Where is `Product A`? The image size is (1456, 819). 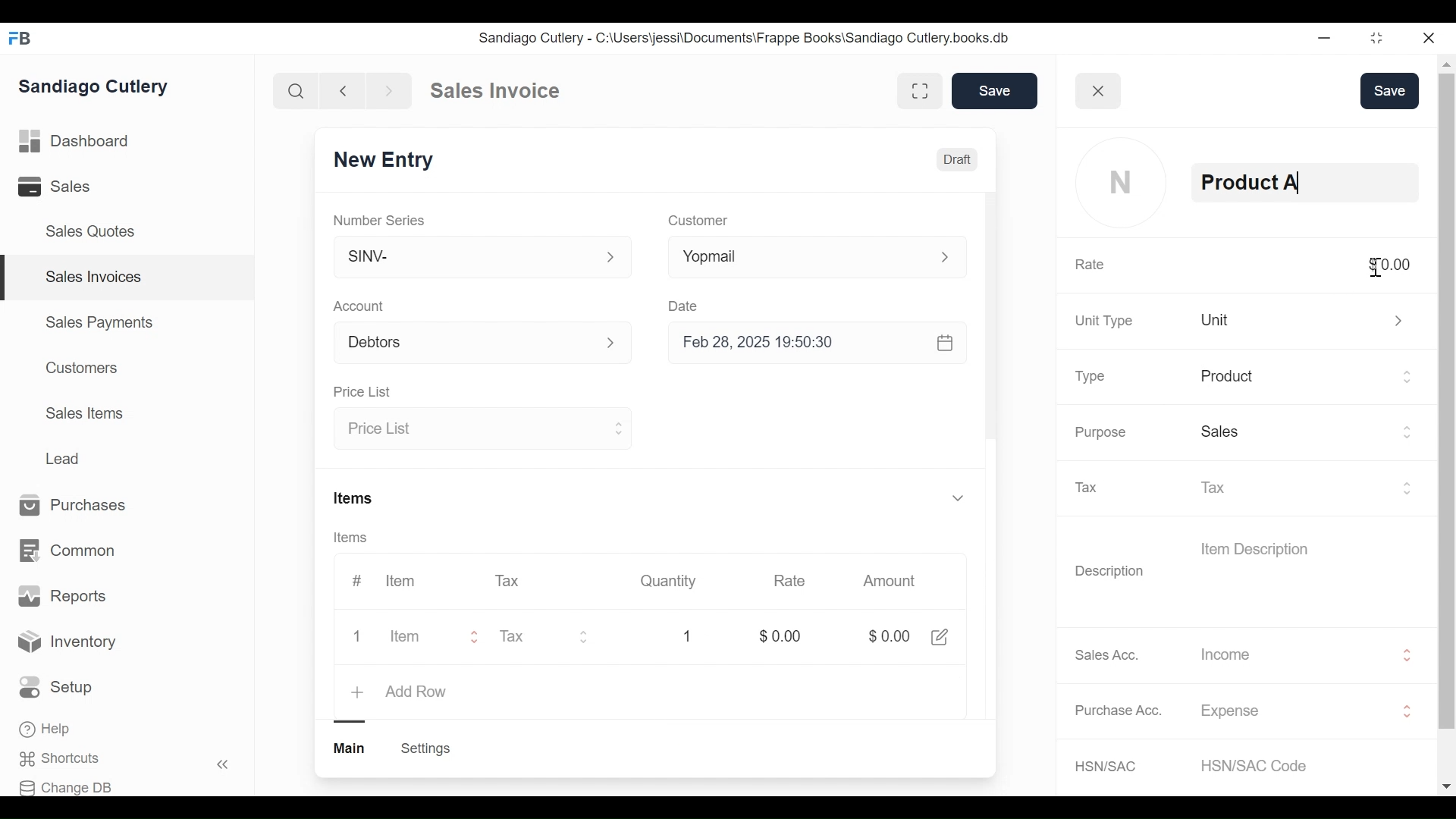
Product A is located at coordinates (1307, 184).